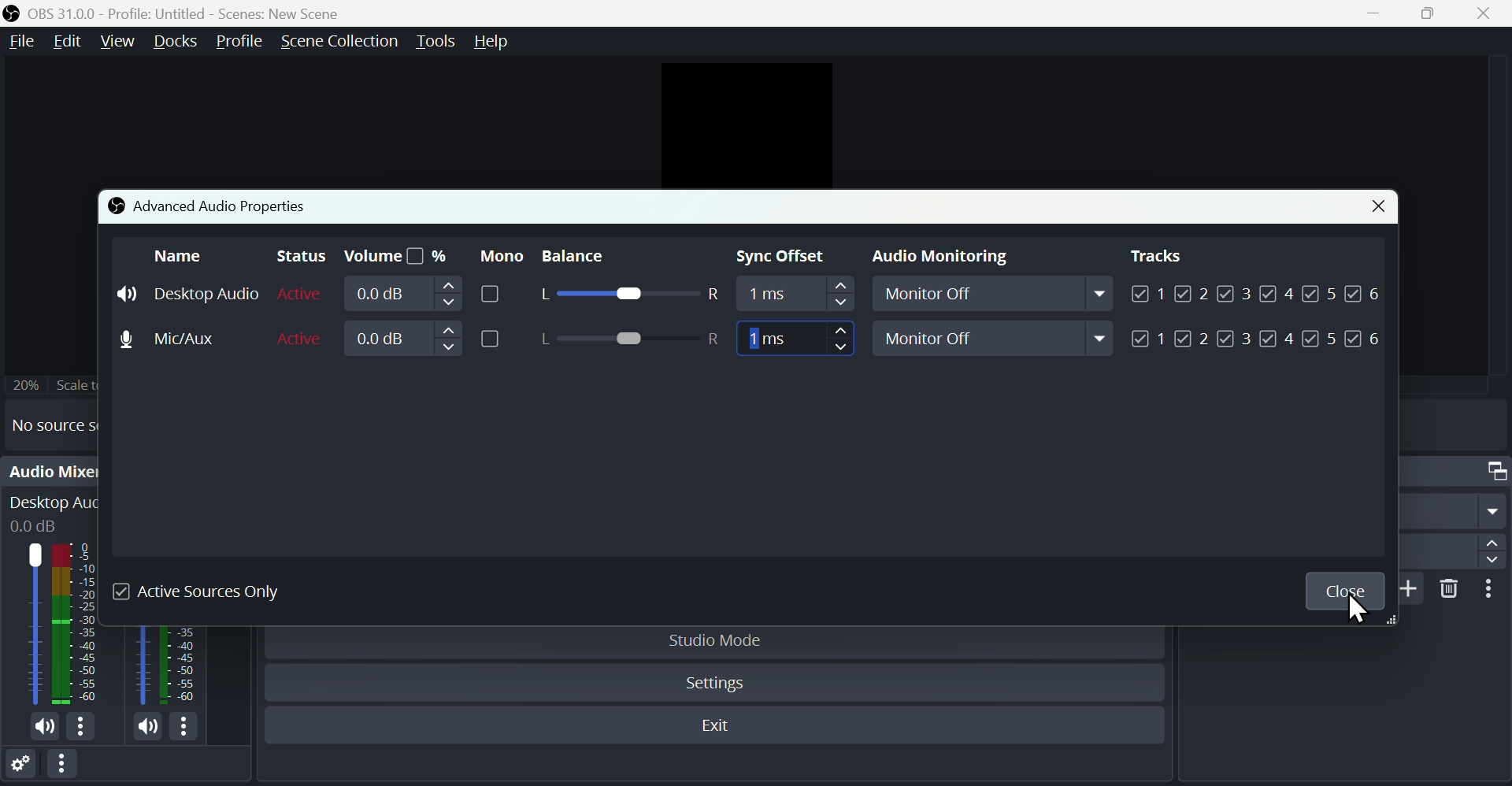  I want to click on Balance slider, so click(627, 295).